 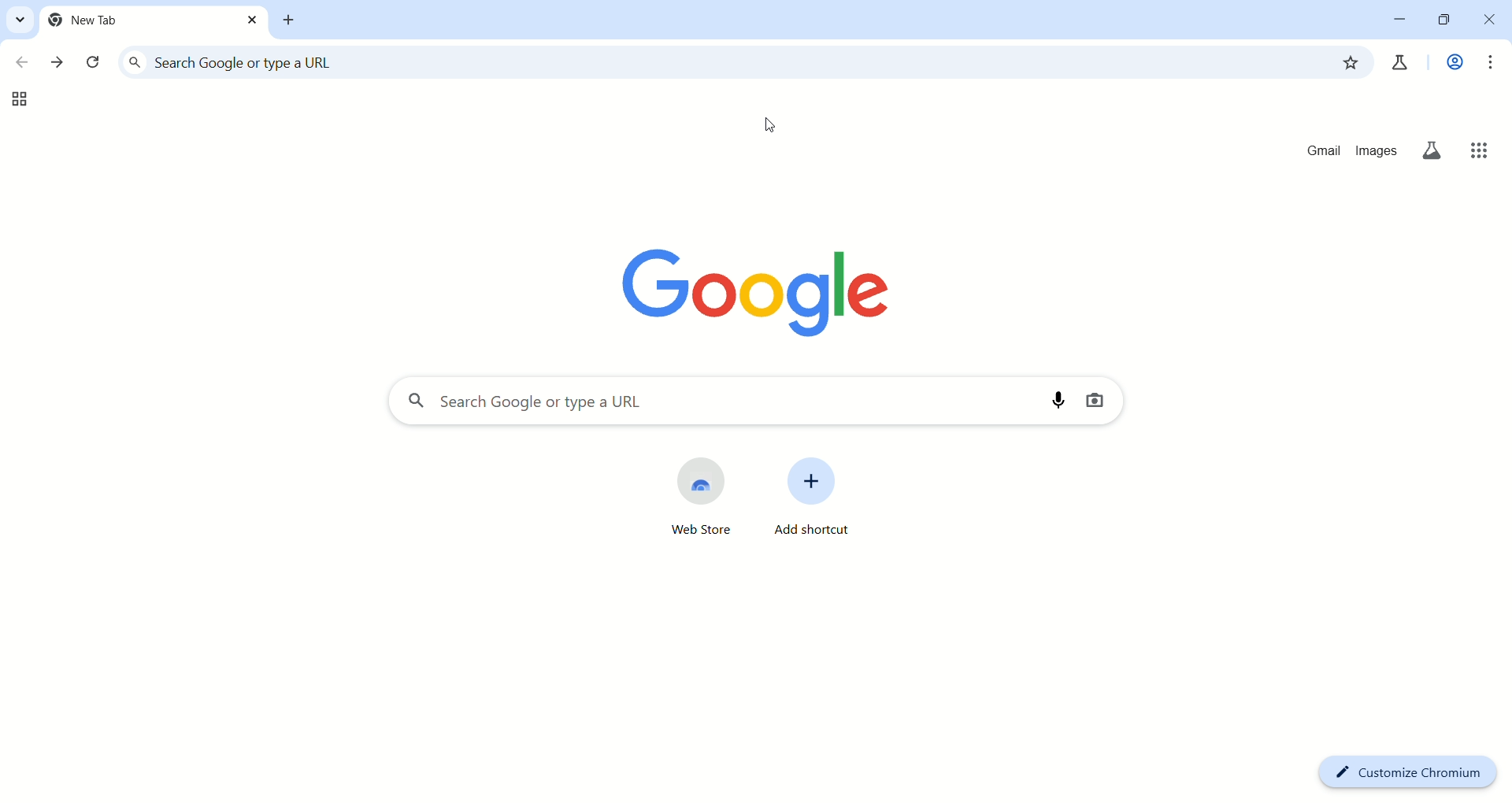 I want to click on search, so click(x=715, y=399).